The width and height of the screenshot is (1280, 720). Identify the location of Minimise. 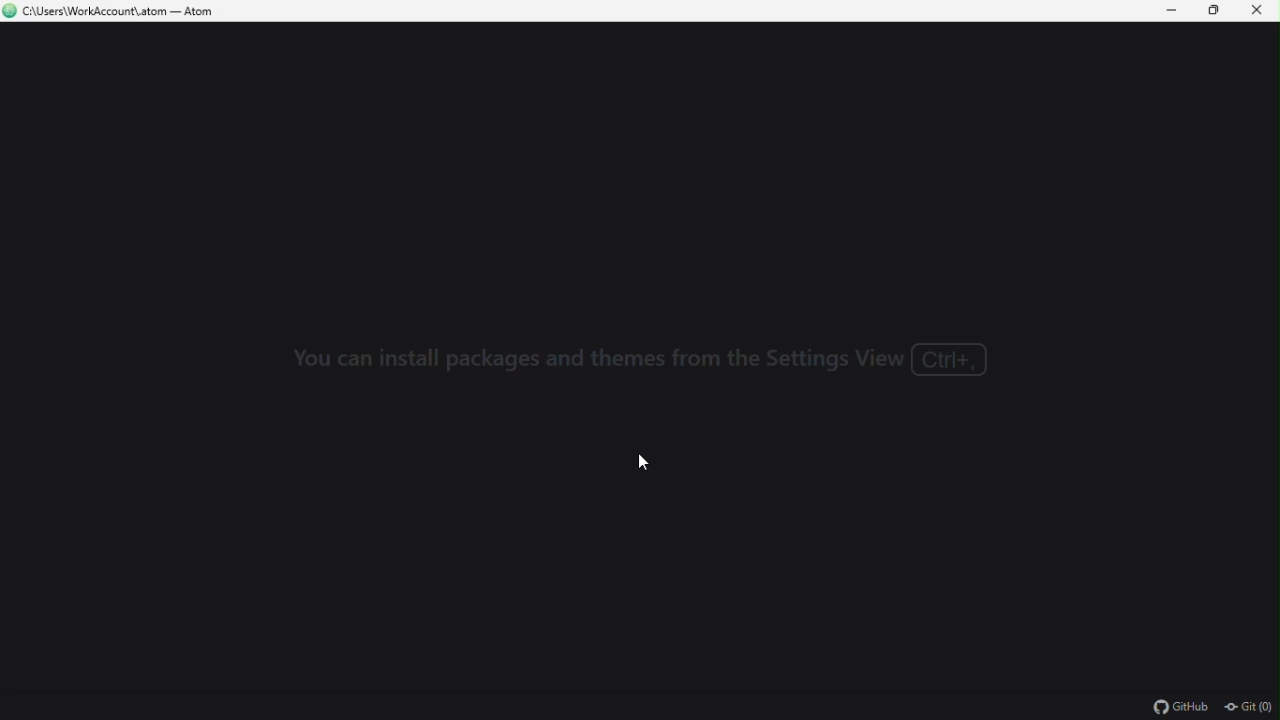
(1175, 10).